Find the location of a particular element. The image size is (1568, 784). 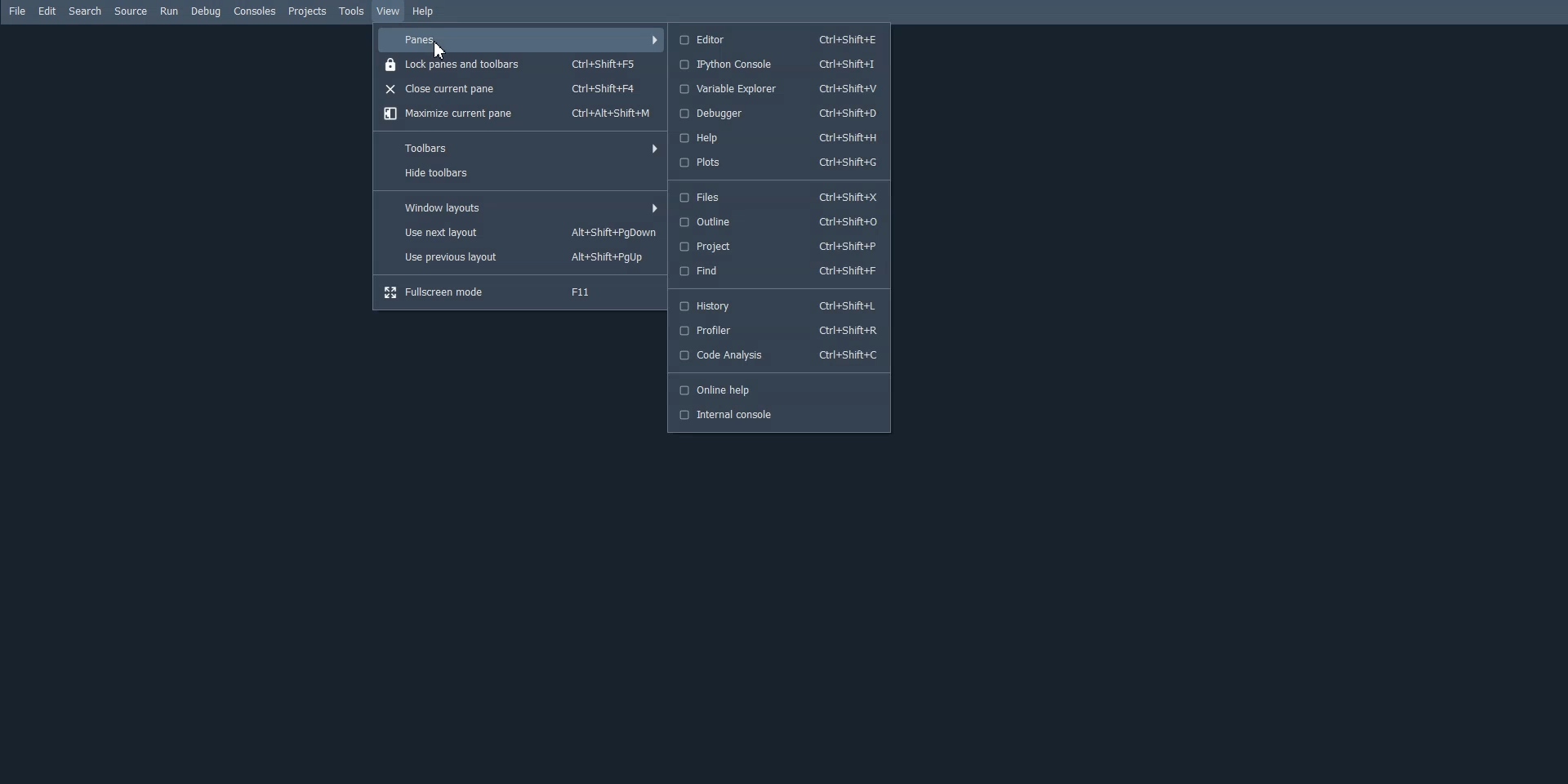

Lock panes and toolbars is located at coordinates (523, 65).